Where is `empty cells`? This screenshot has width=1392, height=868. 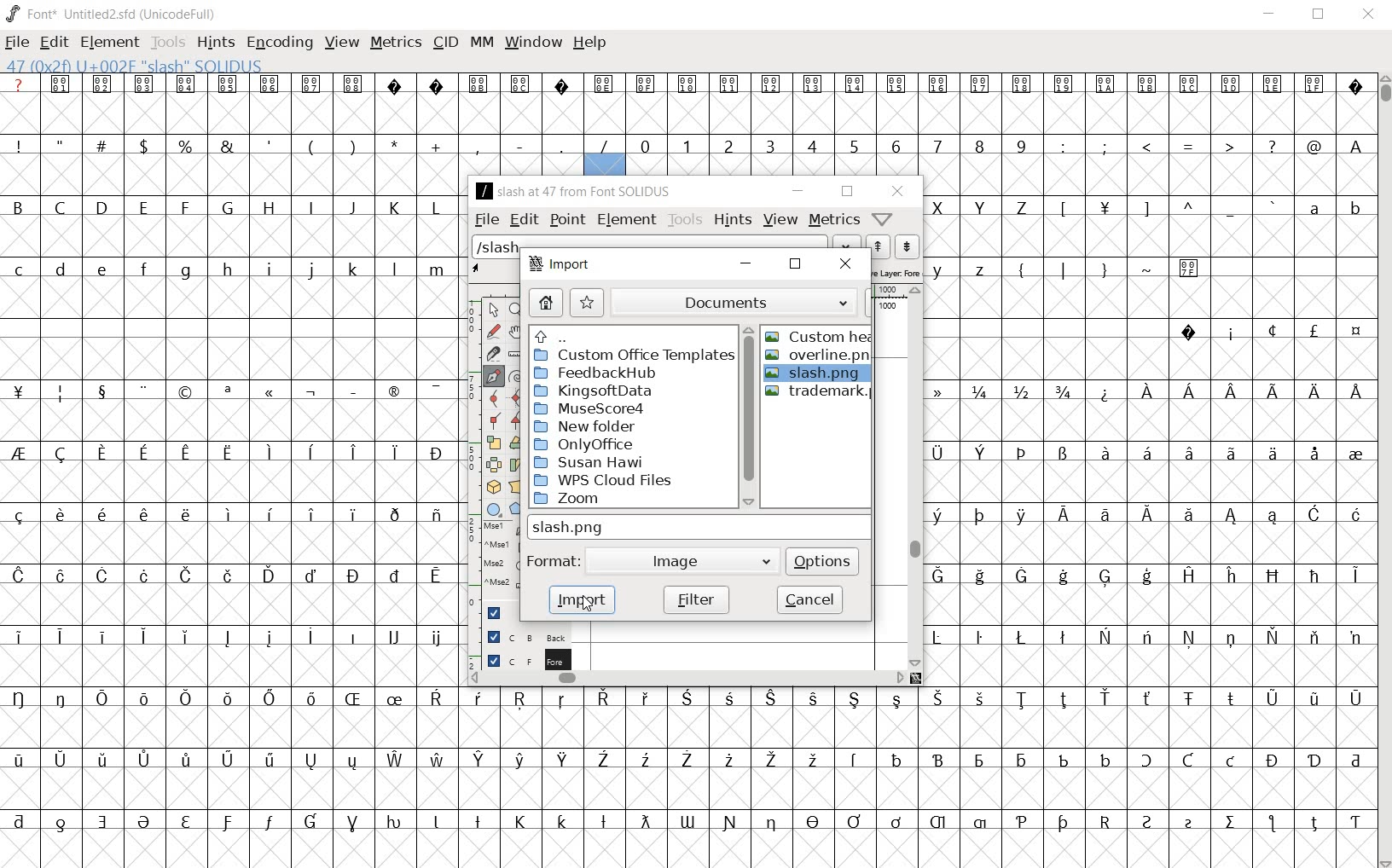
empty cells is located at coordinates (1150, 482).